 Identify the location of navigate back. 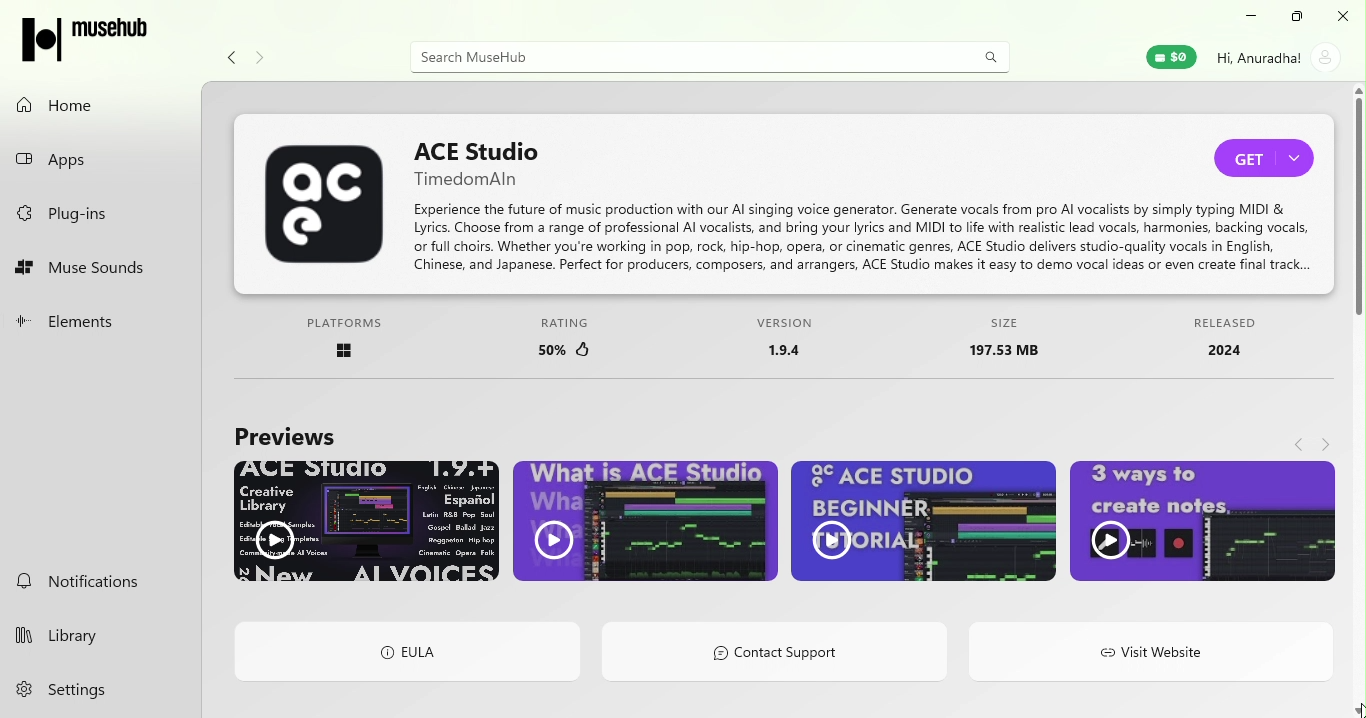
(1300, 440).